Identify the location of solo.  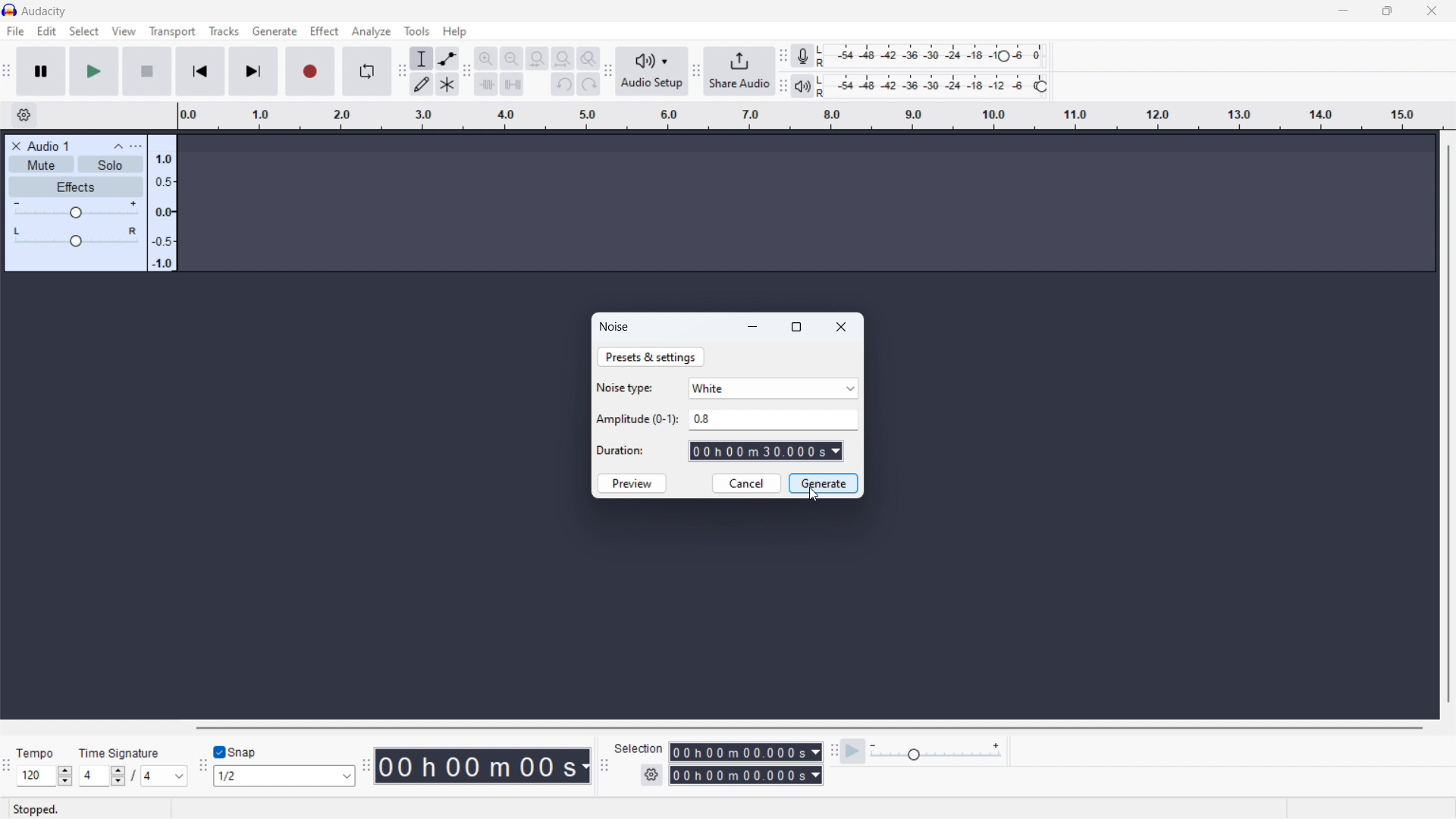
(111, 165).